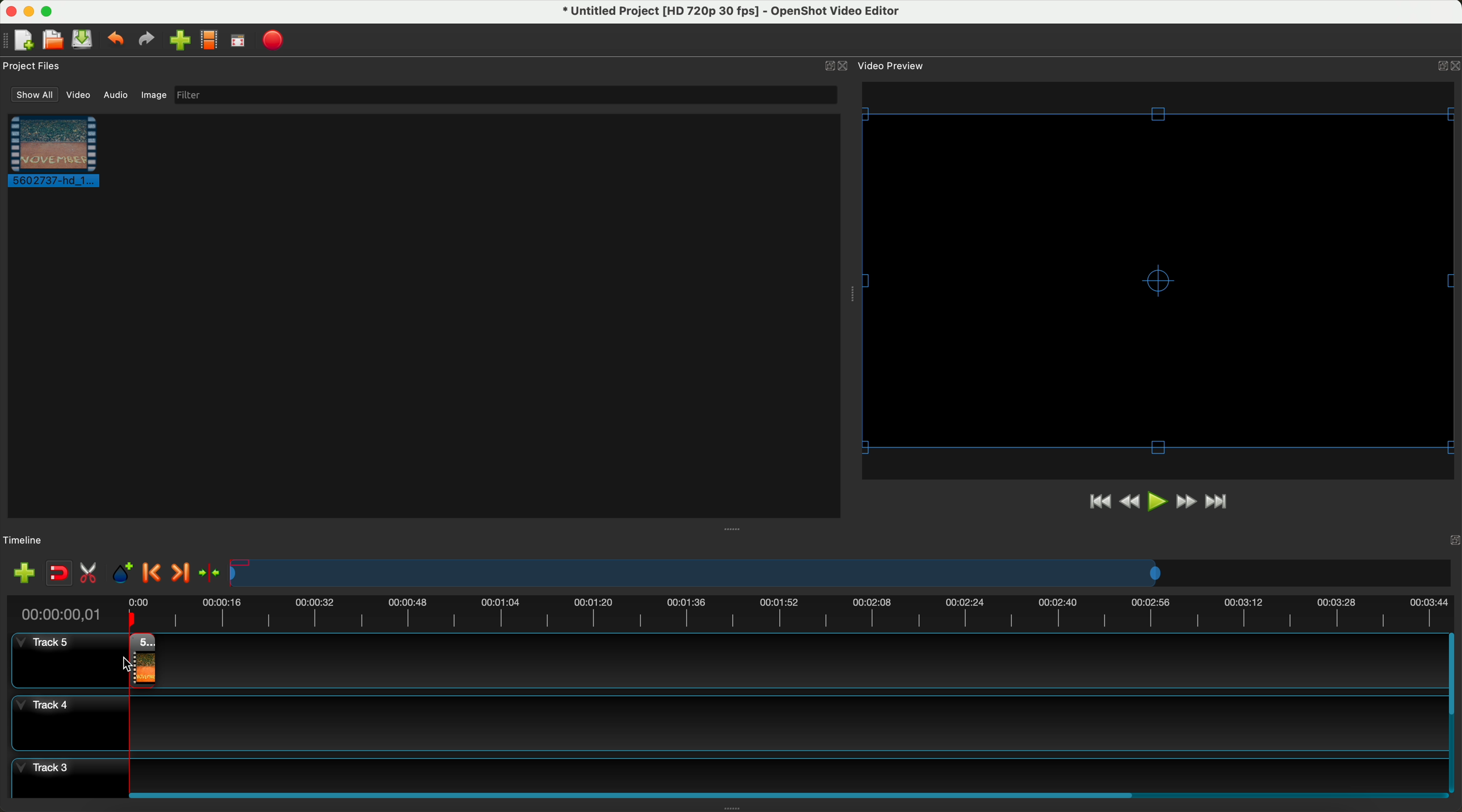 This screenshot has width=1462, height=812. What do you see at coordinates (237, 41) in the screenshot?
I see `fullscreen` at bounding box center [237, 41].